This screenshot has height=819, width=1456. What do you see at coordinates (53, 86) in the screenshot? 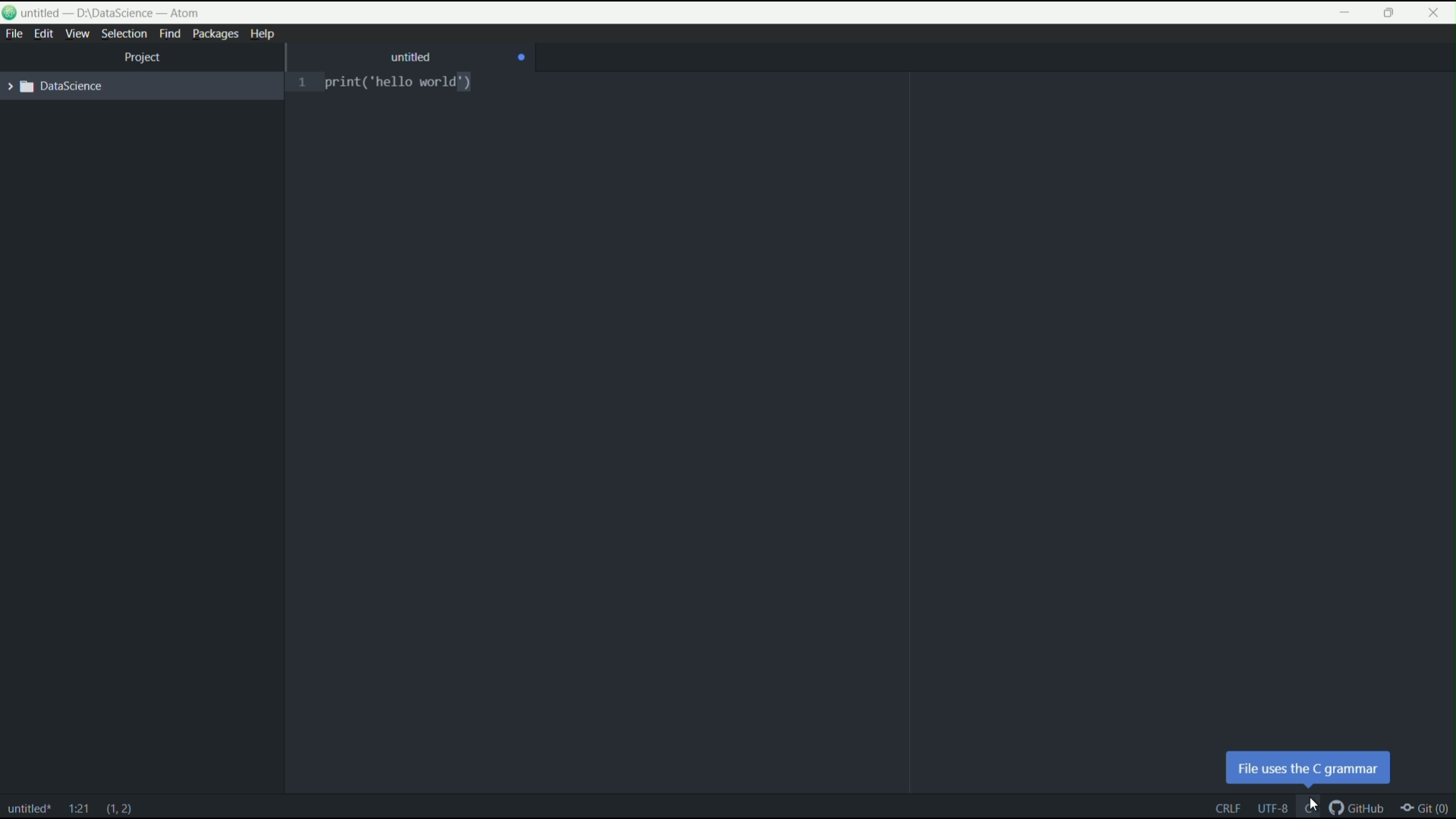
I see `expand folder` at bounding box center [53, 86].